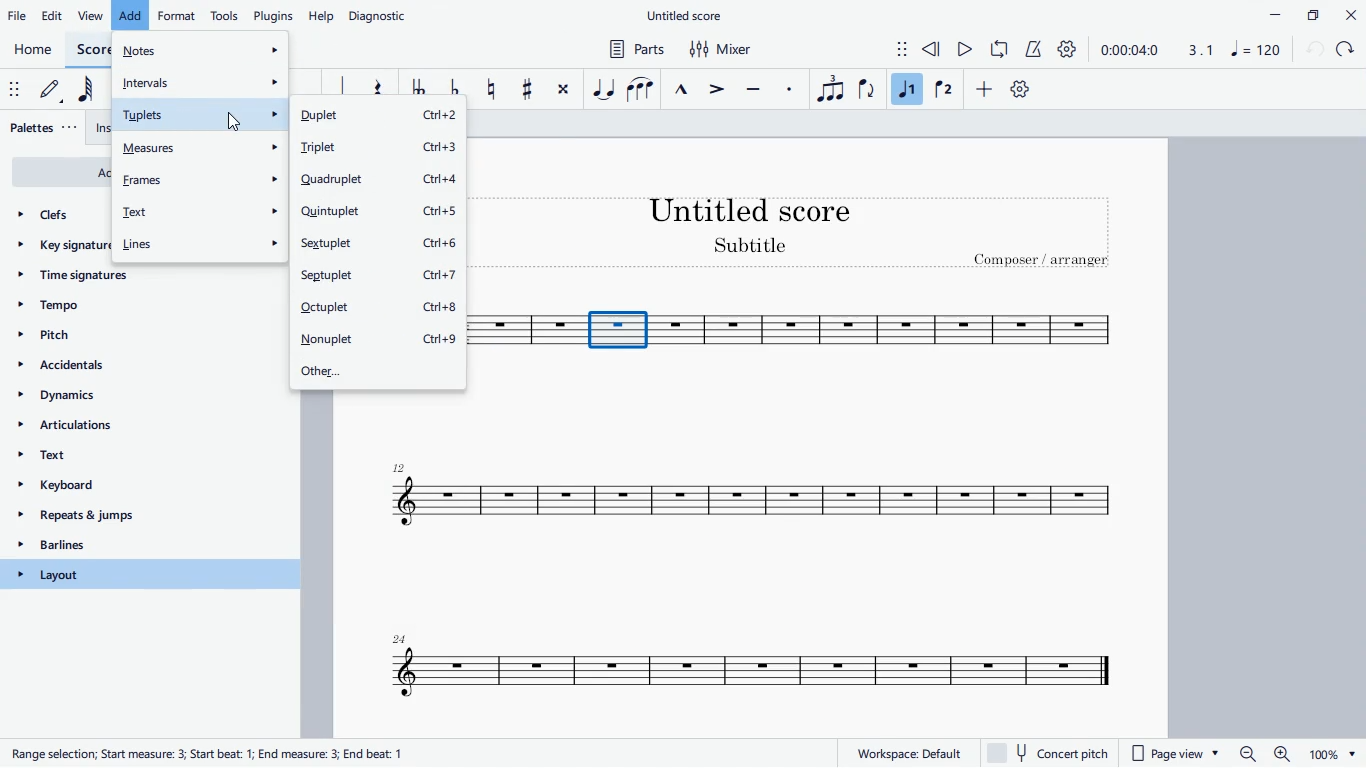  I want to click on zoom in, so click(1280, 754).